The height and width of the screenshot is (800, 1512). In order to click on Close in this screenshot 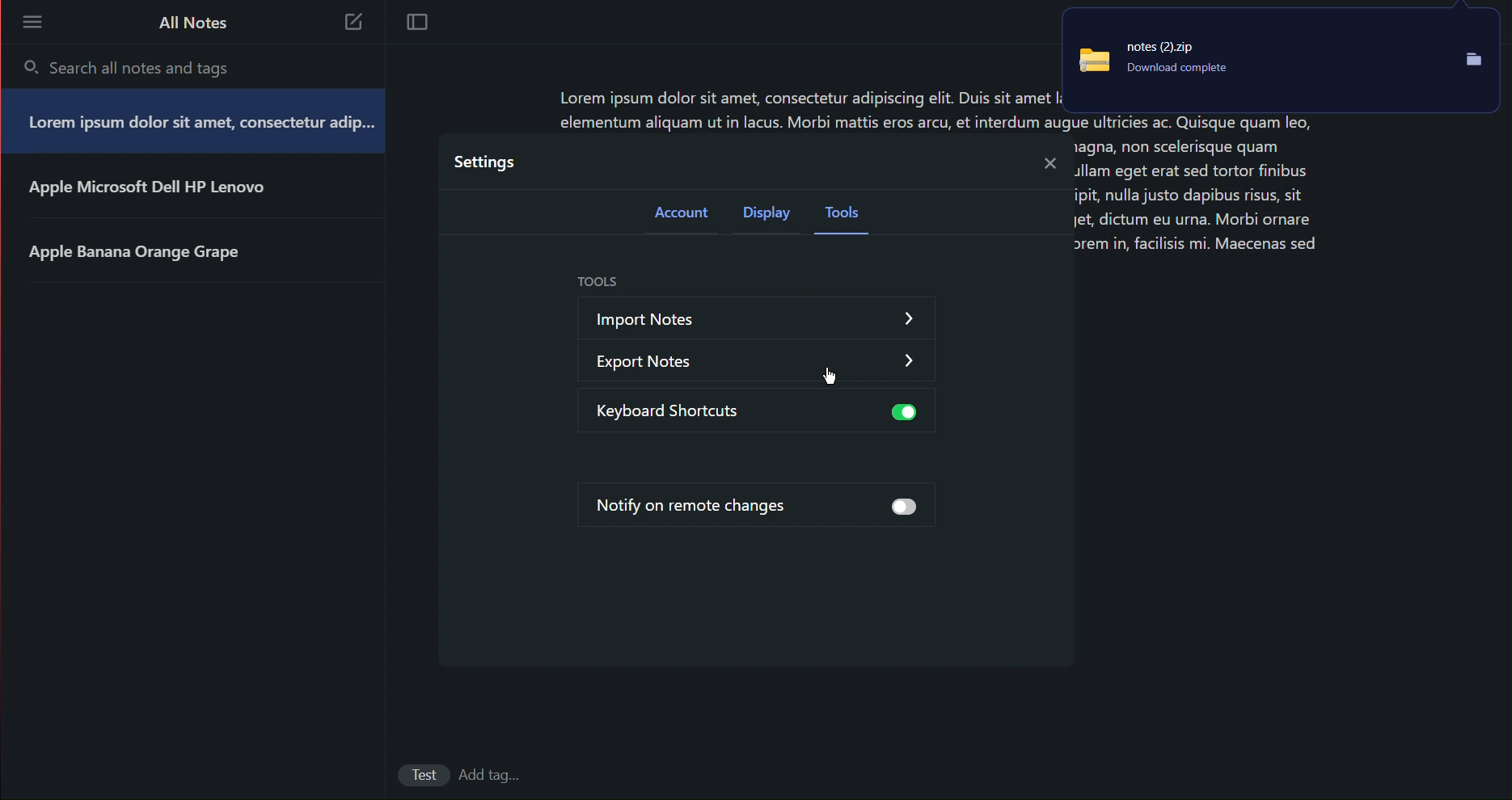, I will do `click(1047, 162)`.